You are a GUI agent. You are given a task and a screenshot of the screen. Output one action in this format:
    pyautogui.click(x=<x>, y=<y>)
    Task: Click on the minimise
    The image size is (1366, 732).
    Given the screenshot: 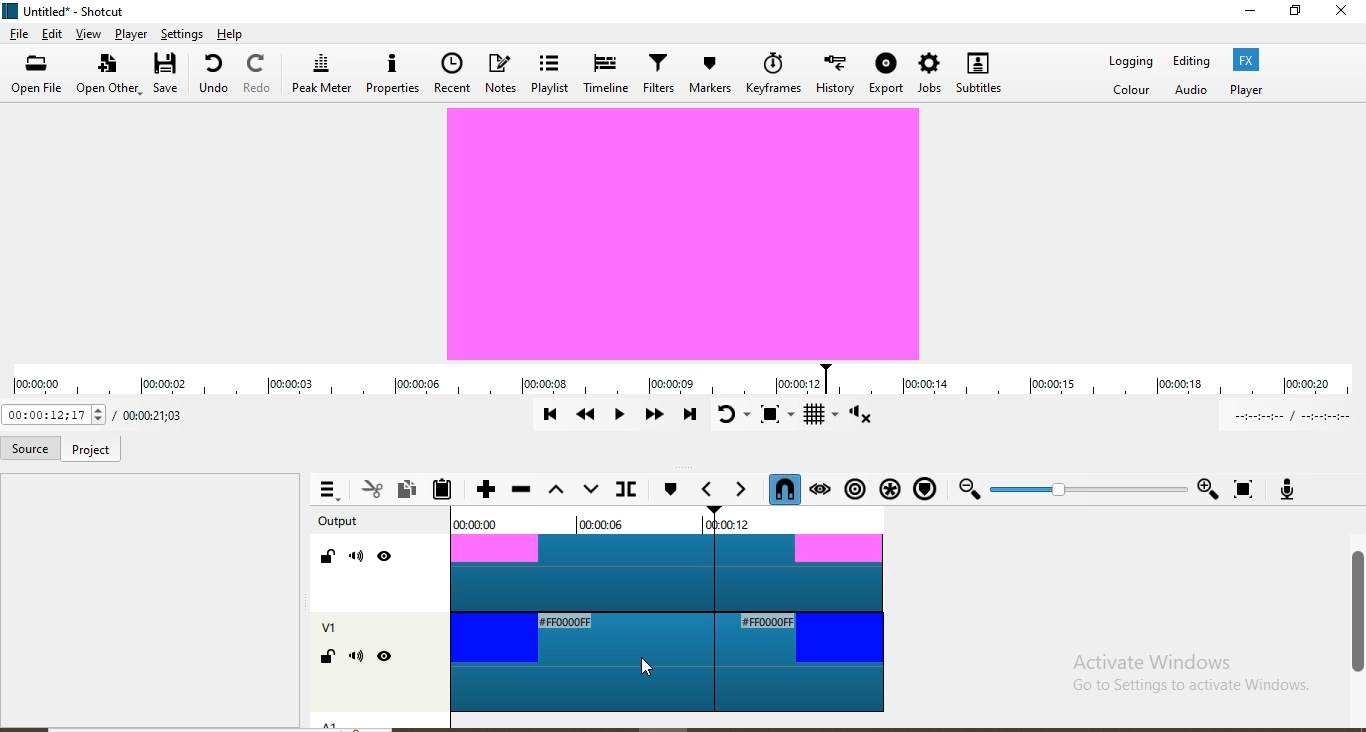 What is the action you would take?
    pyautogui.click(x=1237, y=15)
    